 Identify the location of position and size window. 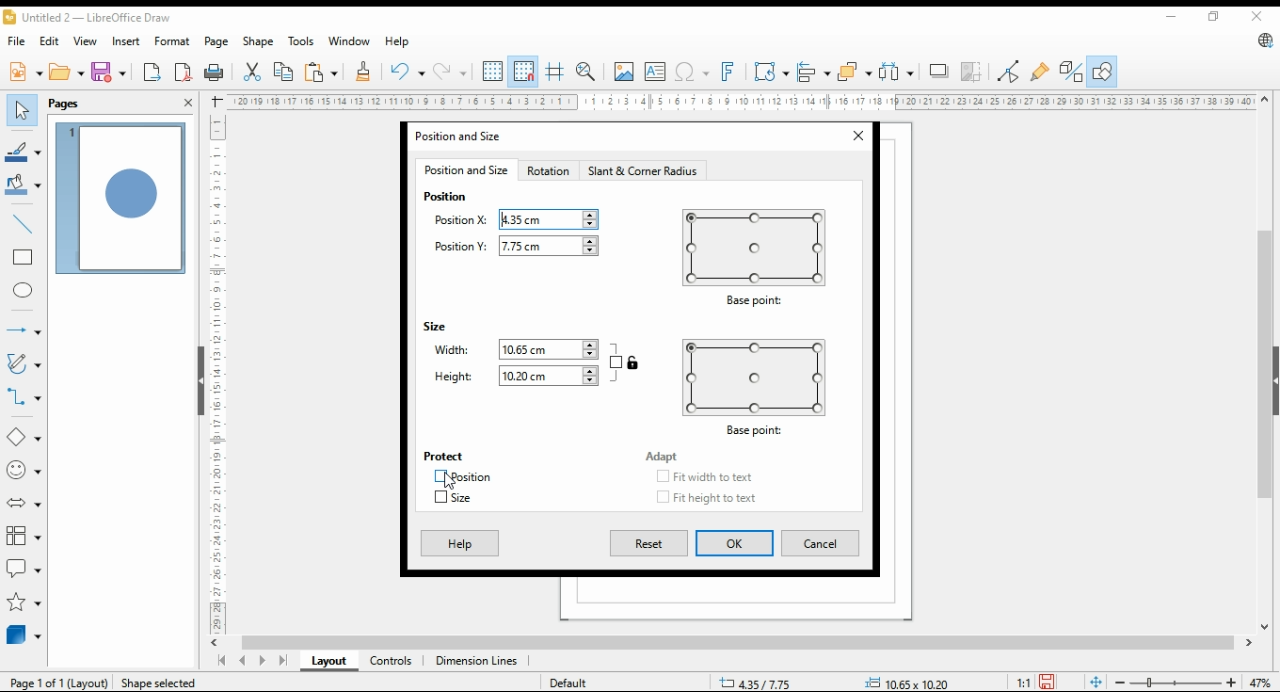
(476, 135).